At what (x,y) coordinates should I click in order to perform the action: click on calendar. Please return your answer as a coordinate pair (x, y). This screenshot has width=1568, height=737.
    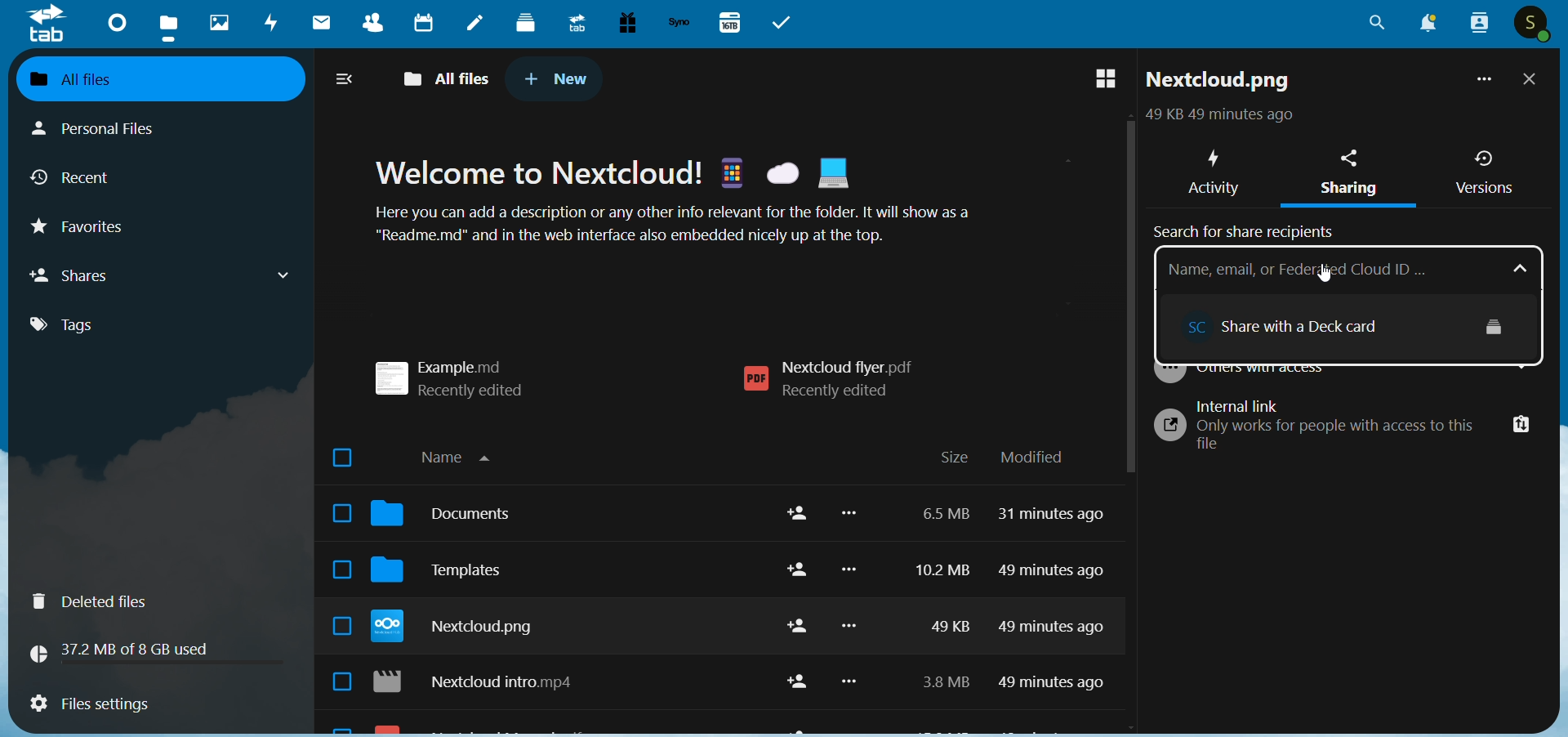
    Looking at the image, I should click on (421, 21).